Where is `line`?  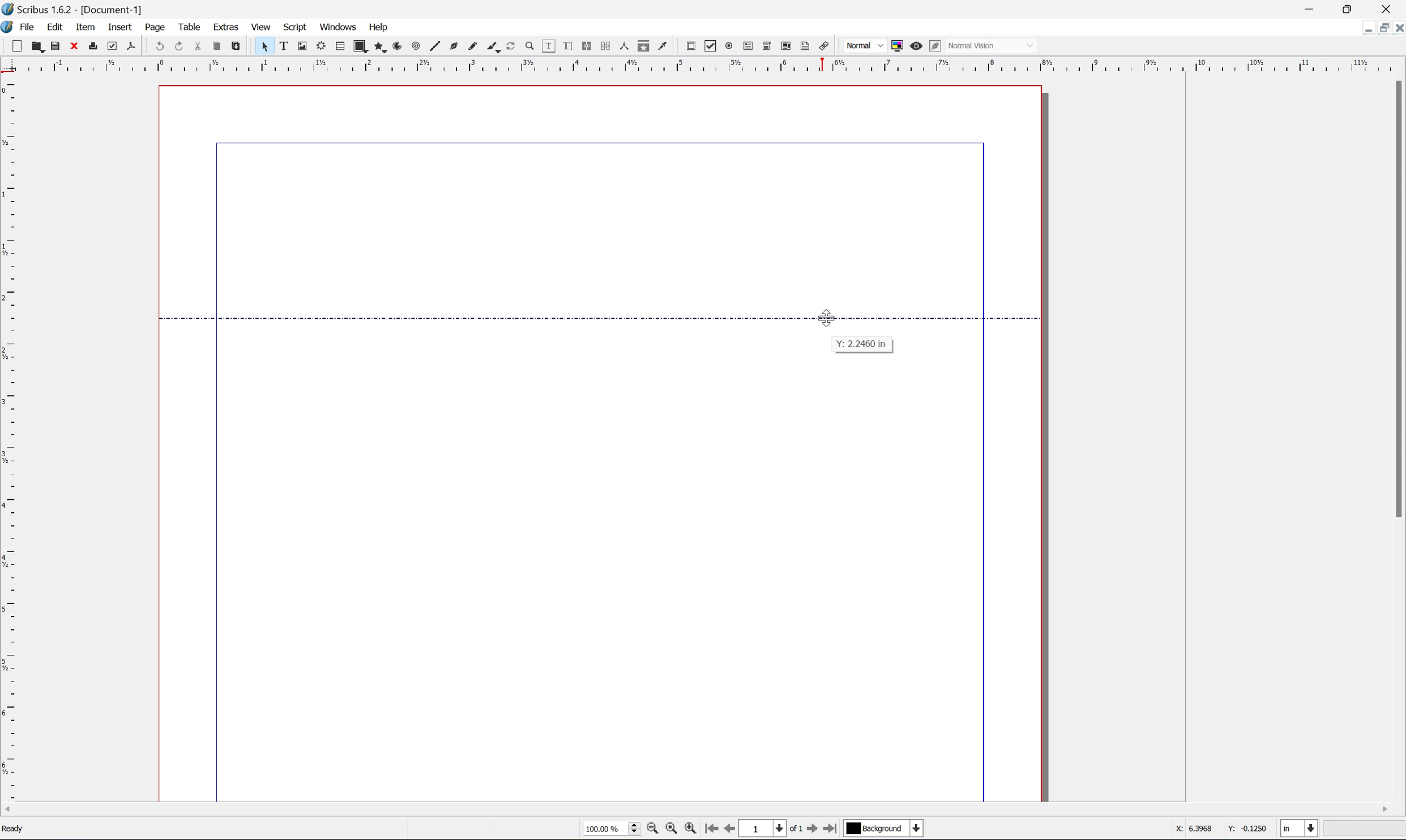
line is located at coordinates (436, 46).